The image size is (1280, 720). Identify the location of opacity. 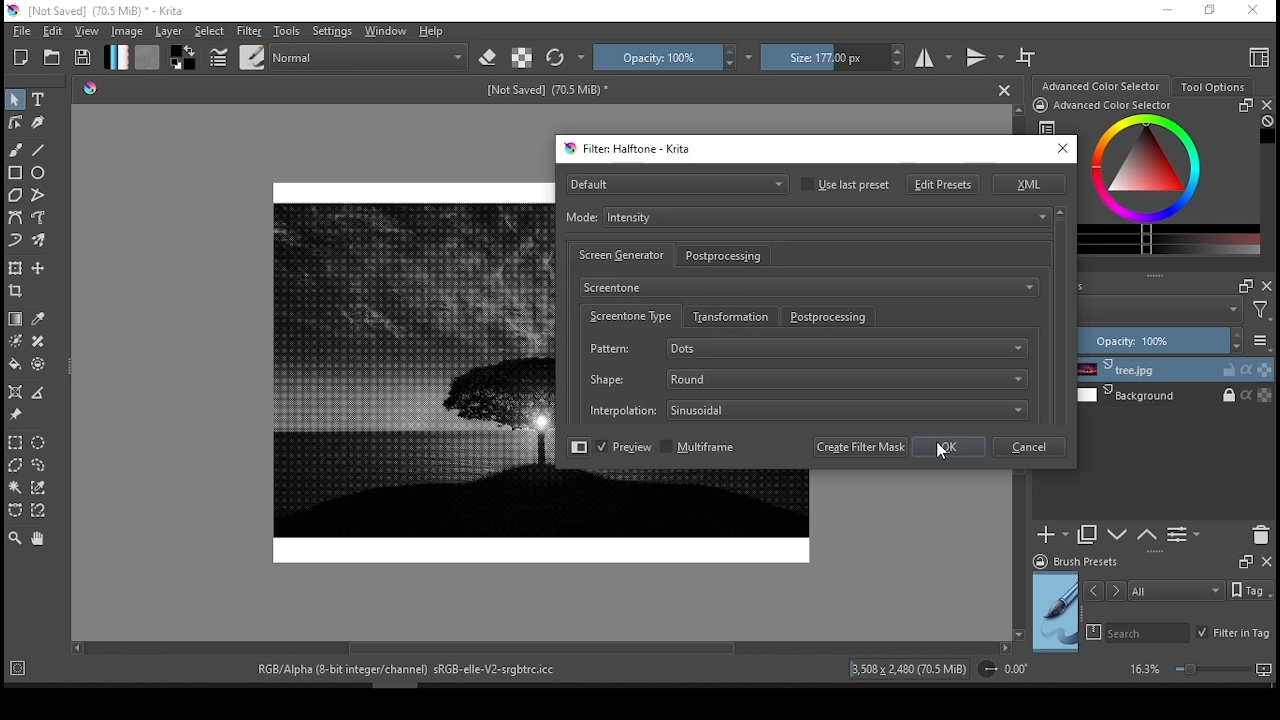
(666, 58).